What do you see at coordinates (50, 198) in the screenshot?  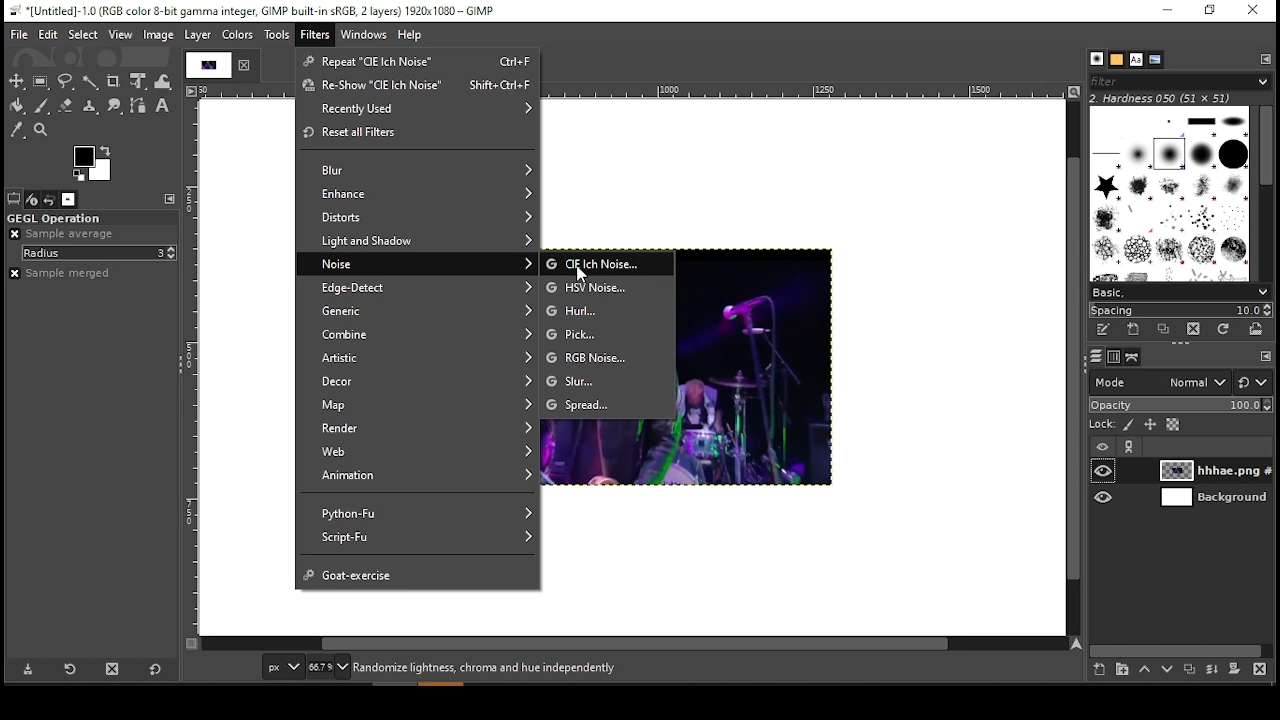 I see `undo history` at bounding box center [50, 198].